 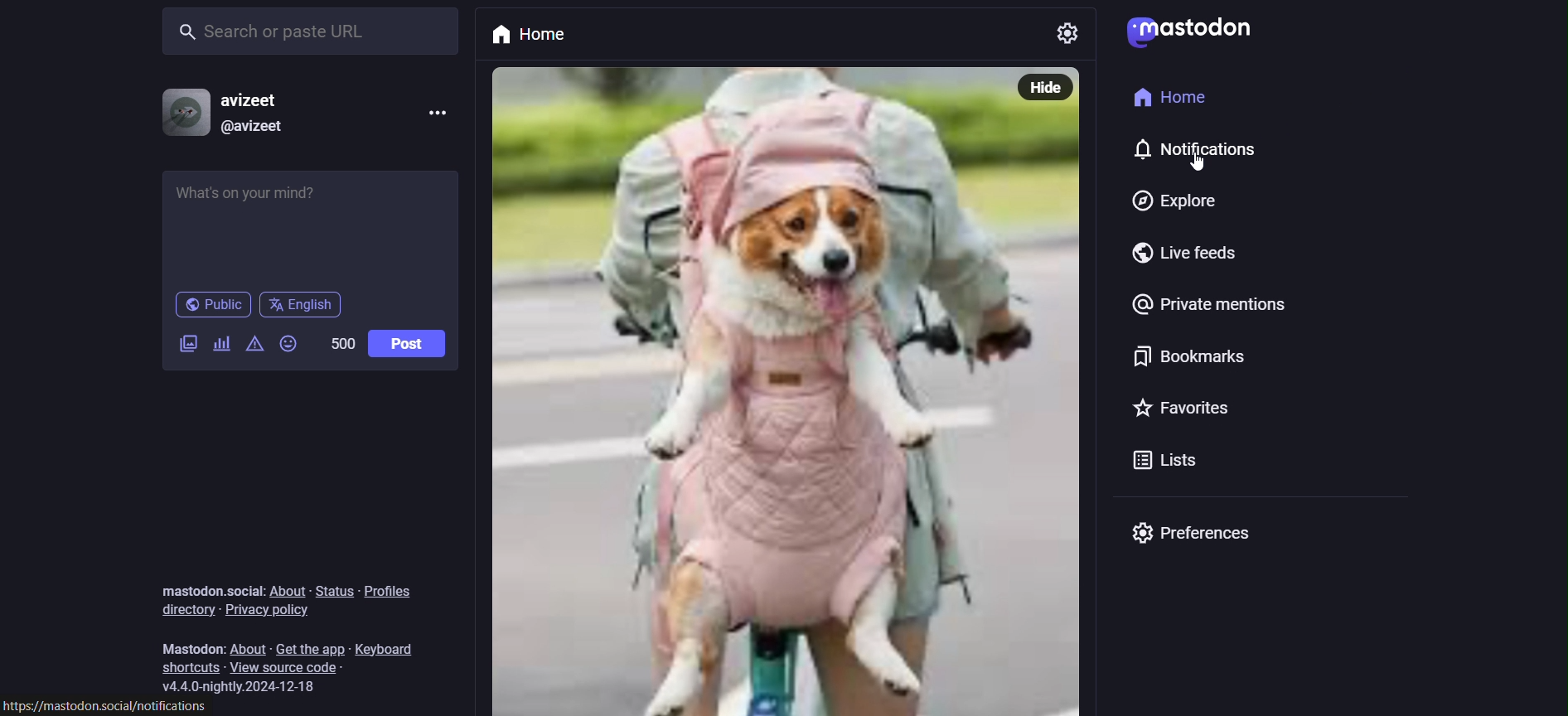 I want to click on @username, so click(x=254, y=126).